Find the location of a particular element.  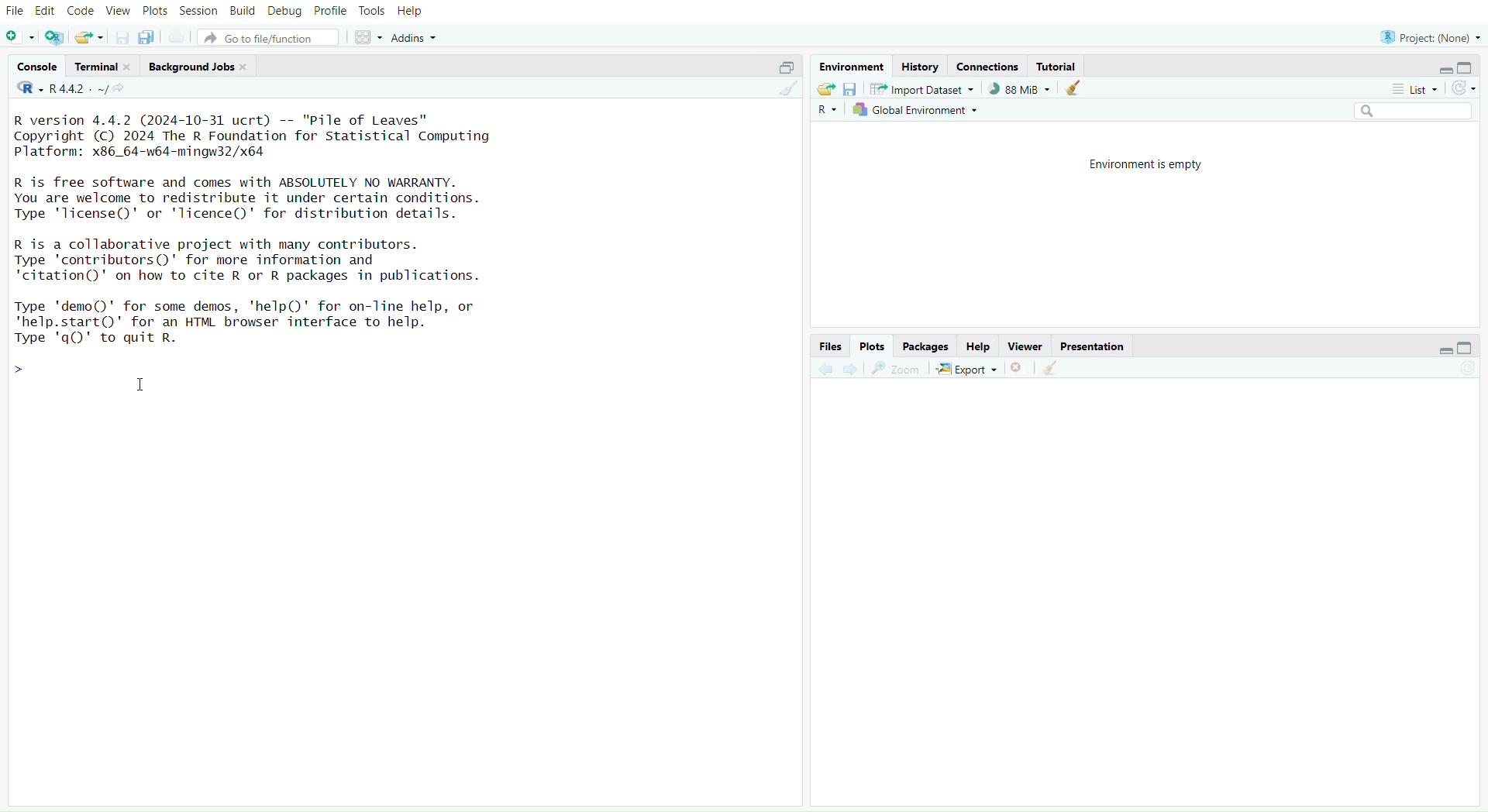

code is located at coordinates (82, 11).